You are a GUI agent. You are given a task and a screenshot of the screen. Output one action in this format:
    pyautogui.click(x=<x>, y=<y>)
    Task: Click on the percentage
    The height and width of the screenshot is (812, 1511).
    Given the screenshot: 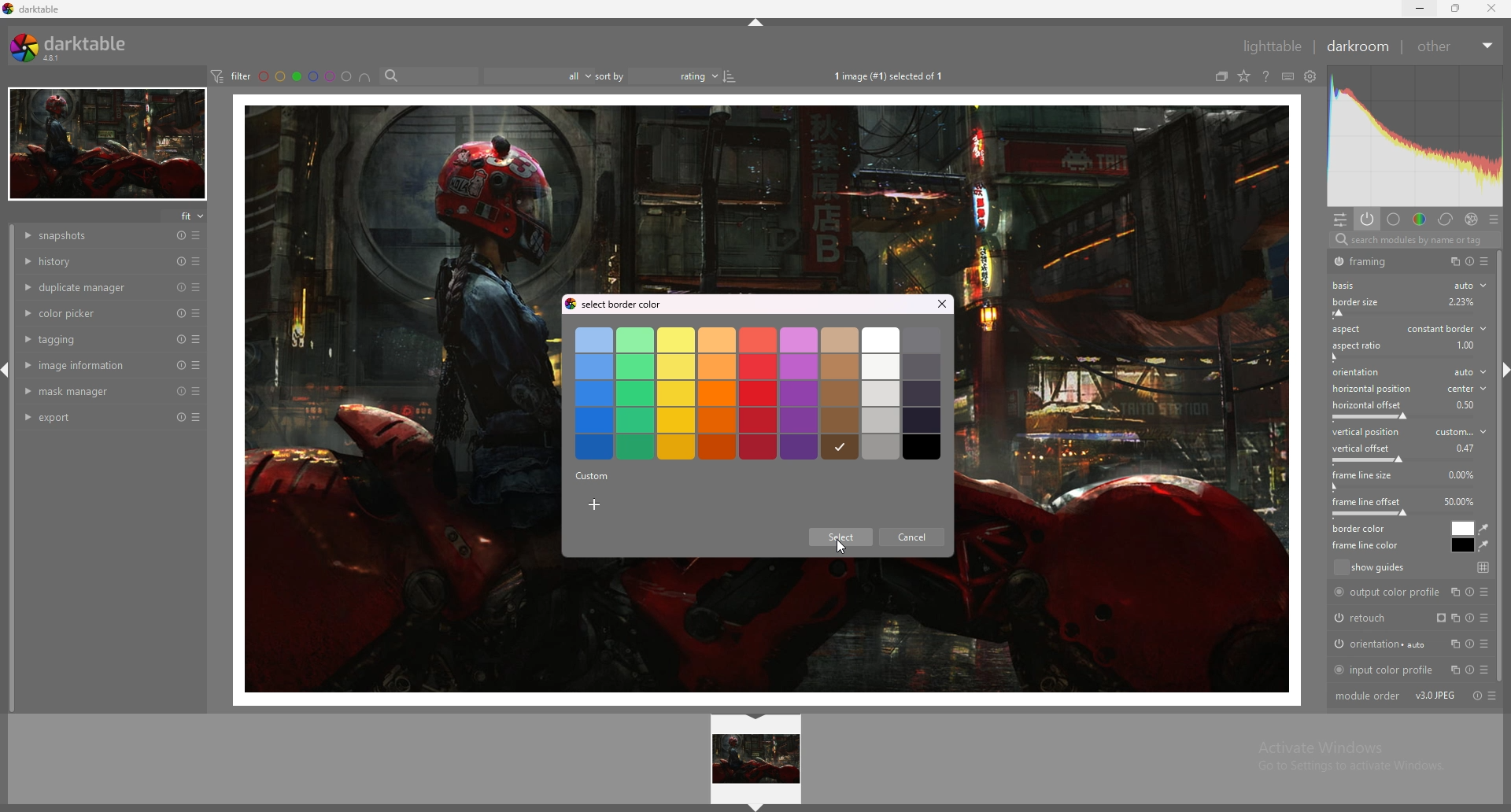 What is the action you would take?
    pyautogui.click(x=1458, y=502)
    